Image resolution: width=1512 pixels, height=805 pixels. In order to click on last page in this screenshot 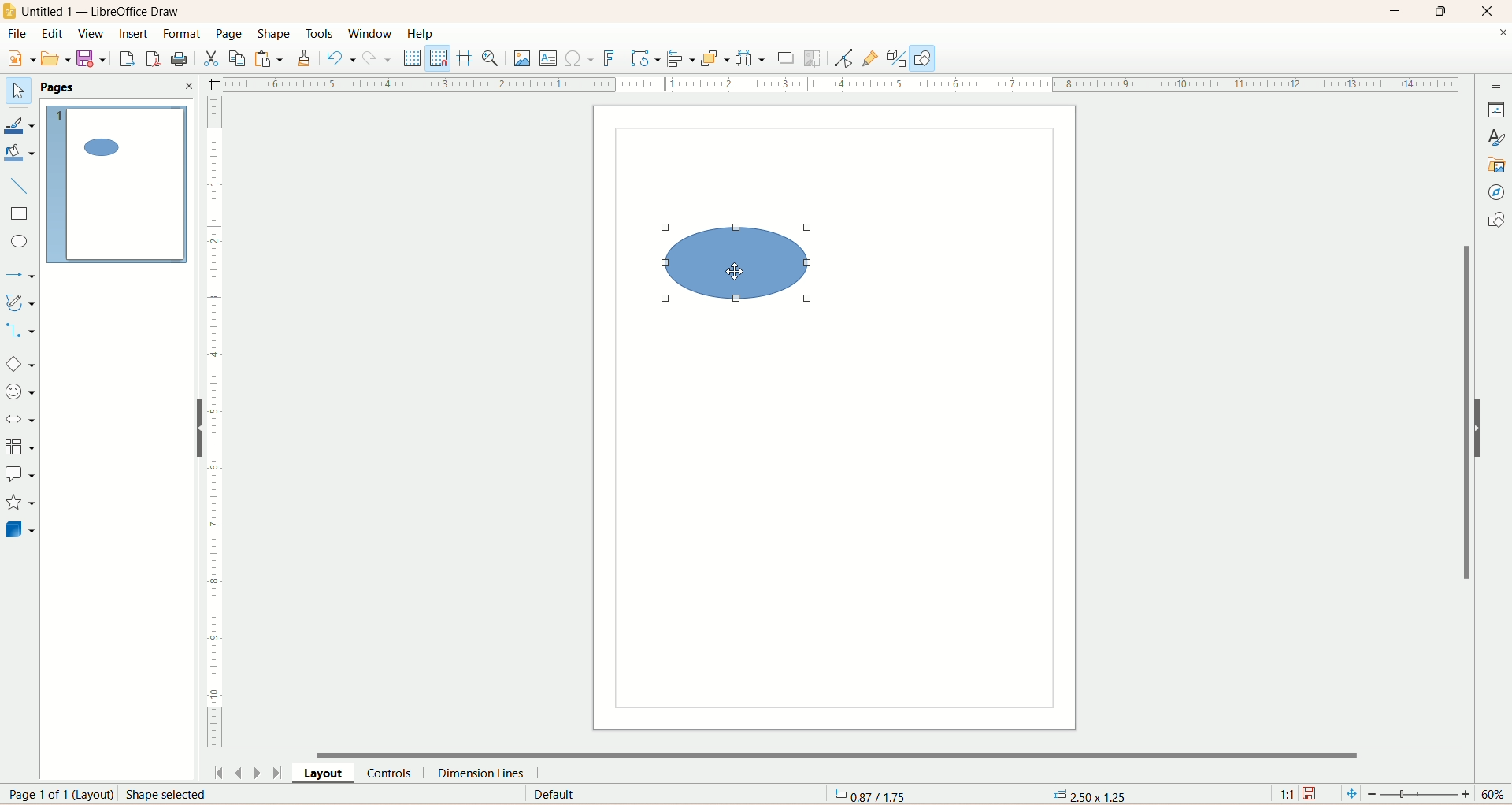, I will do `click(282, 773)`.